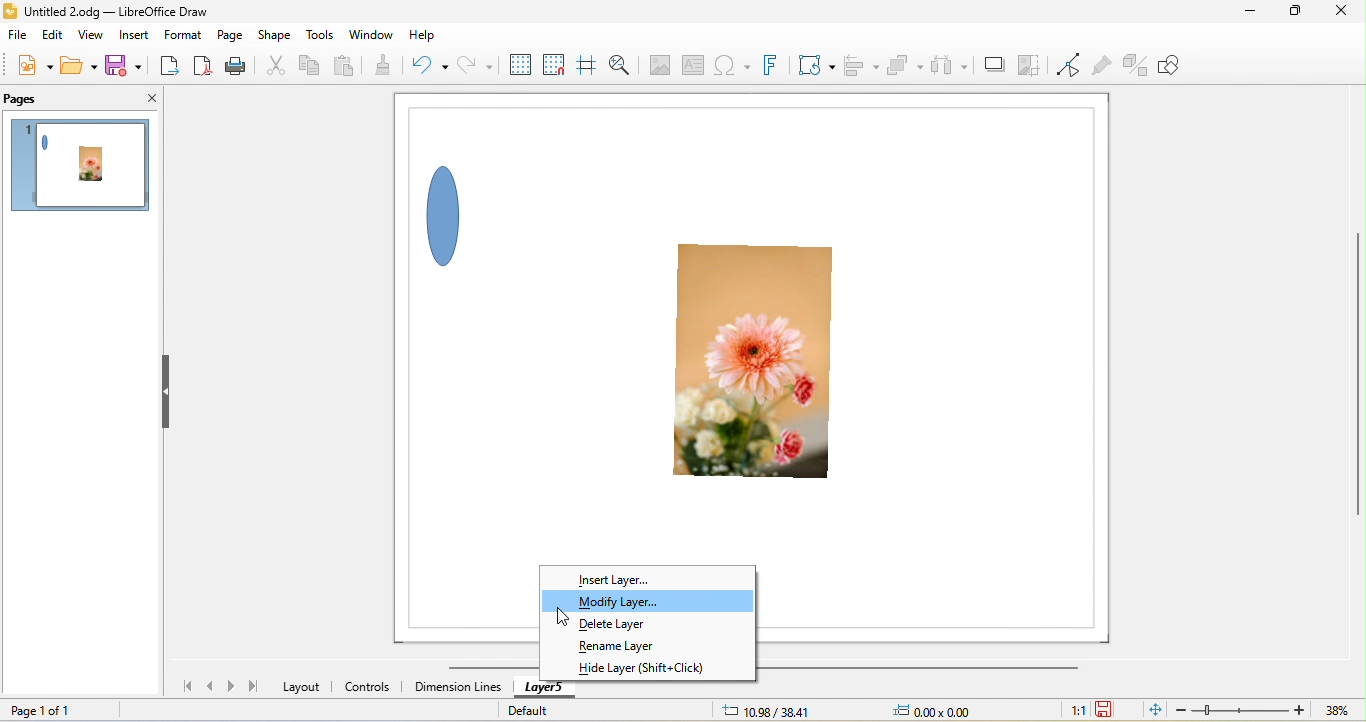 The width and height of the screenshot is (1366, 722). What do you see at coordinates (930, 710) in the screenshot?
I see `0.00x0.00` at bounding box center [930, 710].